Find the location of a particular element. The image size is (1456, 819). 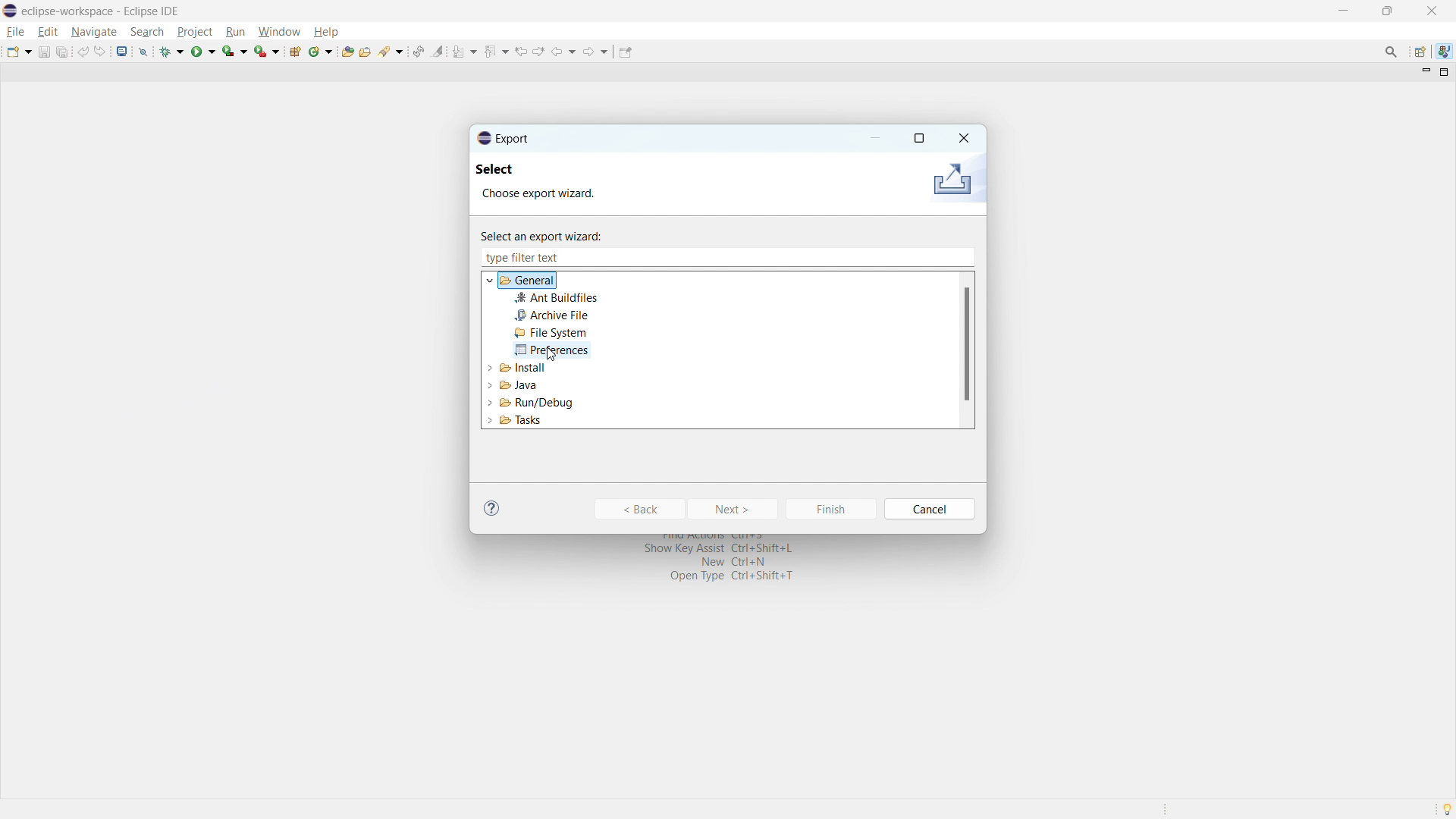

pin editor is located at coordinates (624, 52).